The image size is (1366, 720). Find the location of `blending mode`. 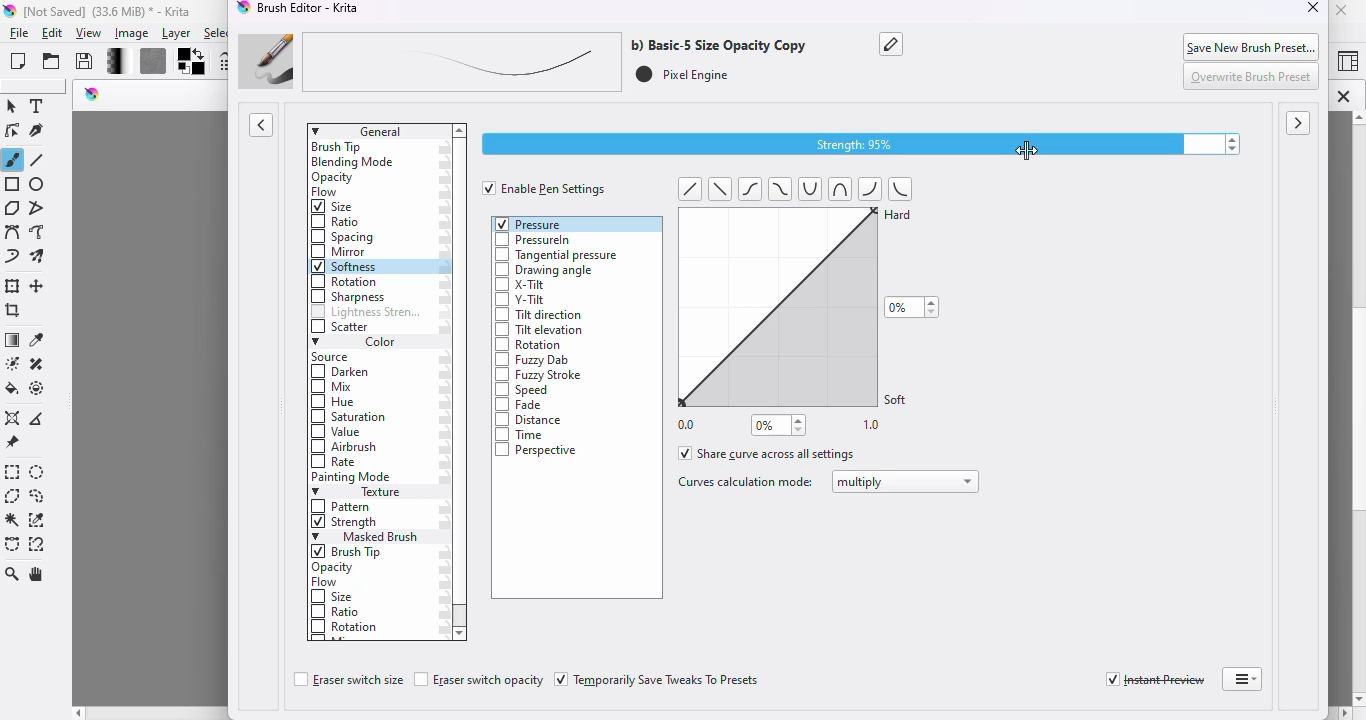

blending mode is located at coordinates (354, 163).